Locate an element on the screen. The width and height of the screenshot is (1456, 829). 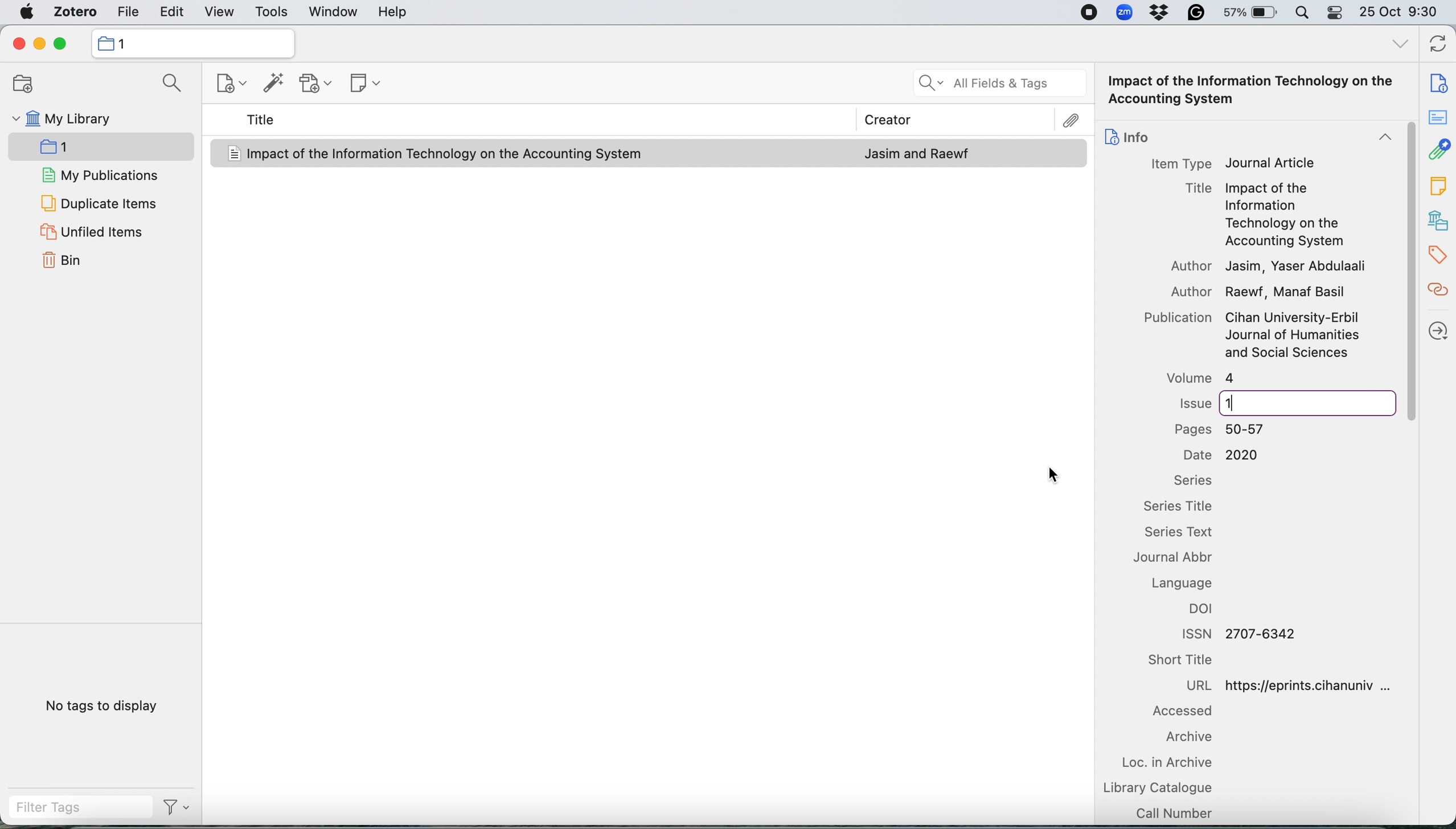
issn is located at coordinates (1235, 633).